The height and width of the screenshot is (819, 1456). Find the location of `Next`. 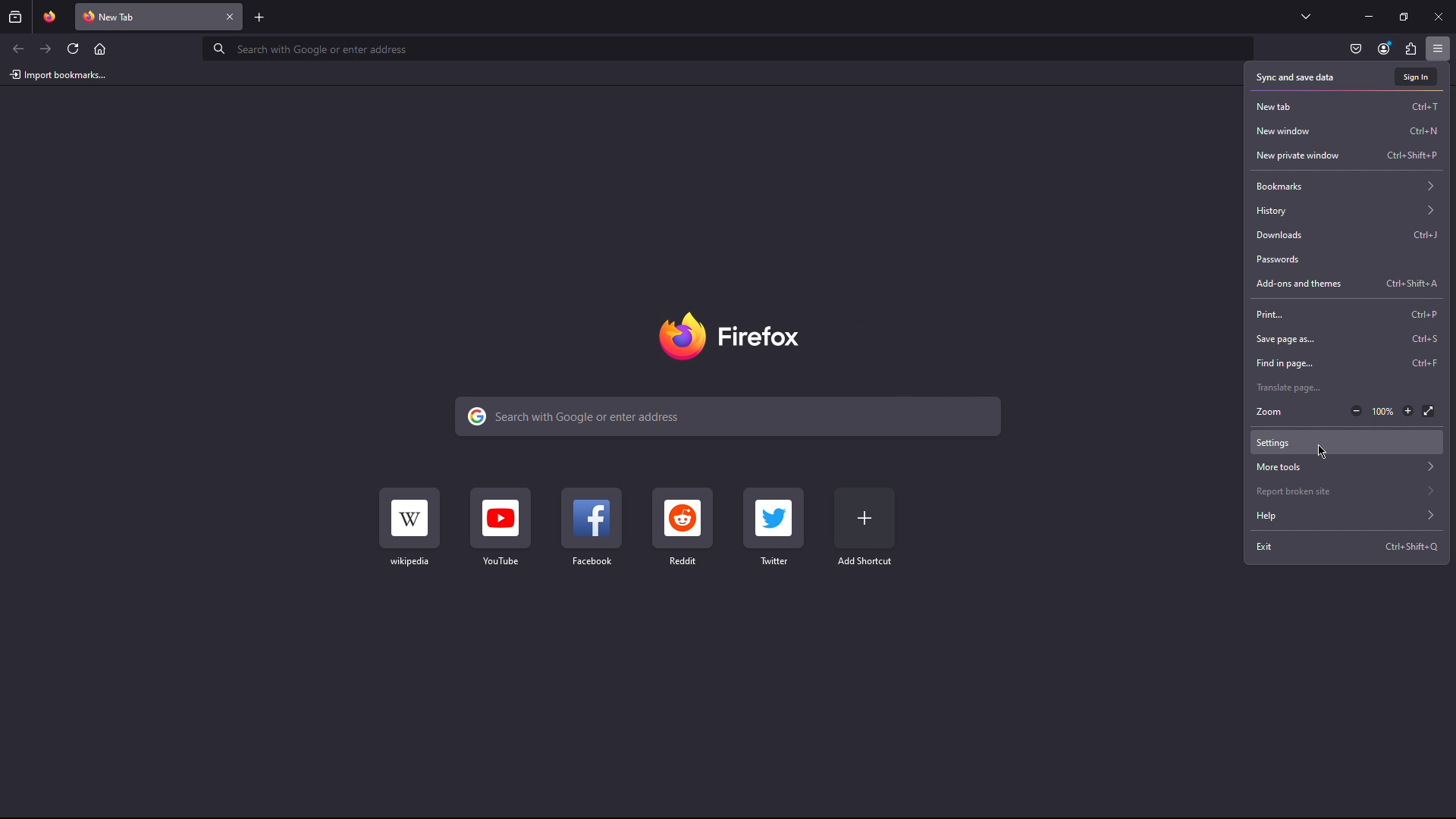

Next is located at coordinates (46, 49).